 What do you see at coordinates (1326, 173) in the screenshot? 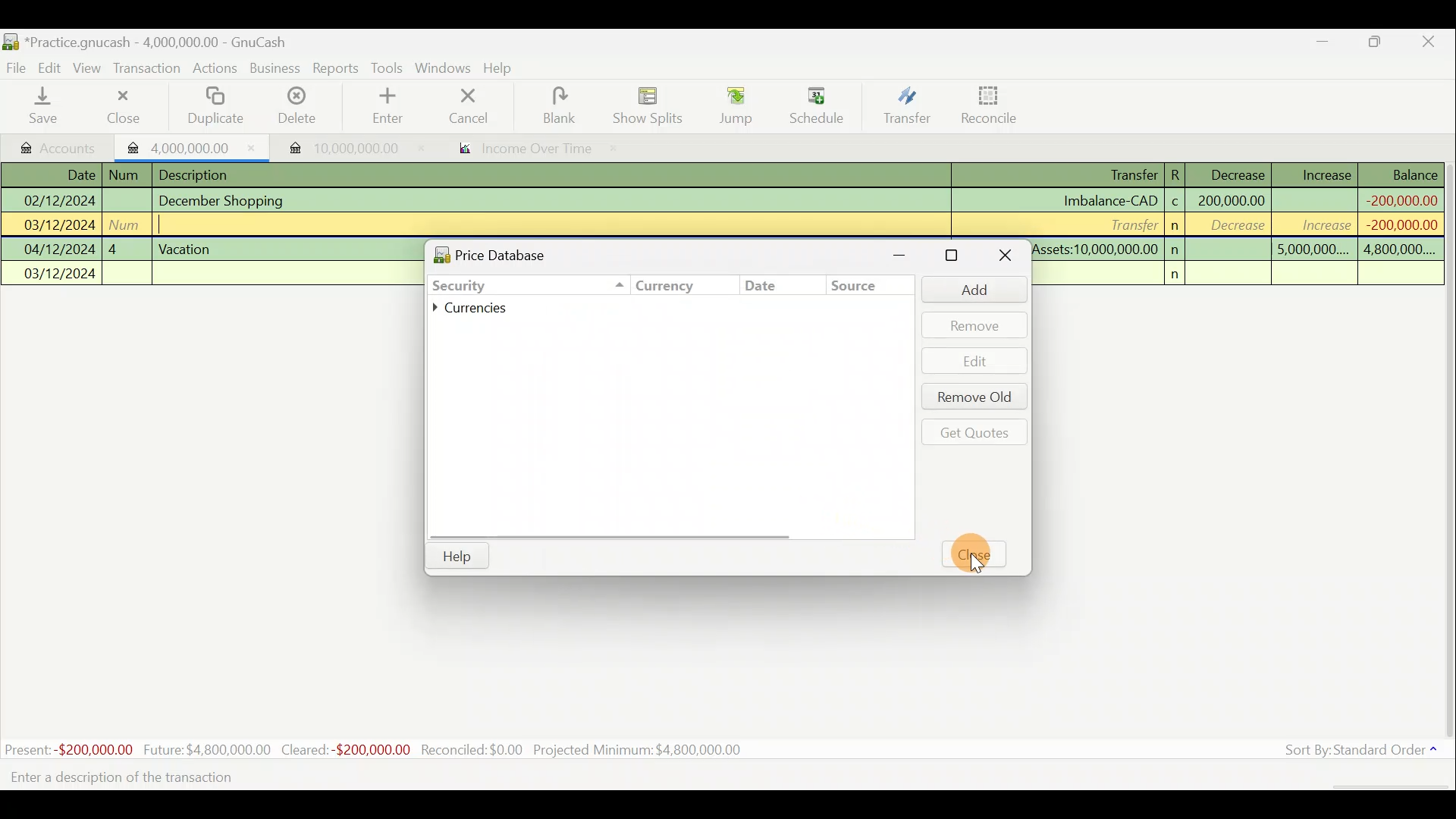
I see `Increase` at bounding box center [1326, 173].